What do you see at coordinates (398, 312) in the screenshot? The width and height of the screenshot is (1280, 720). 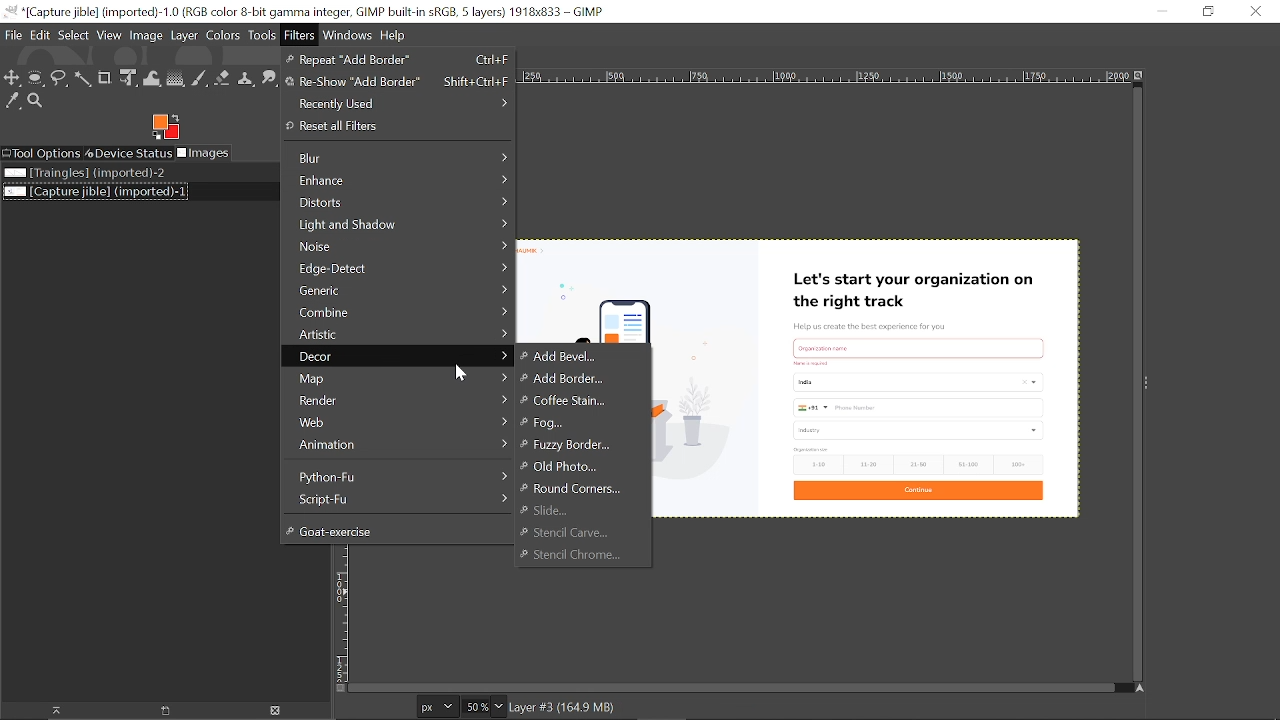 I see `Combine` at bounding box center [398, 312].